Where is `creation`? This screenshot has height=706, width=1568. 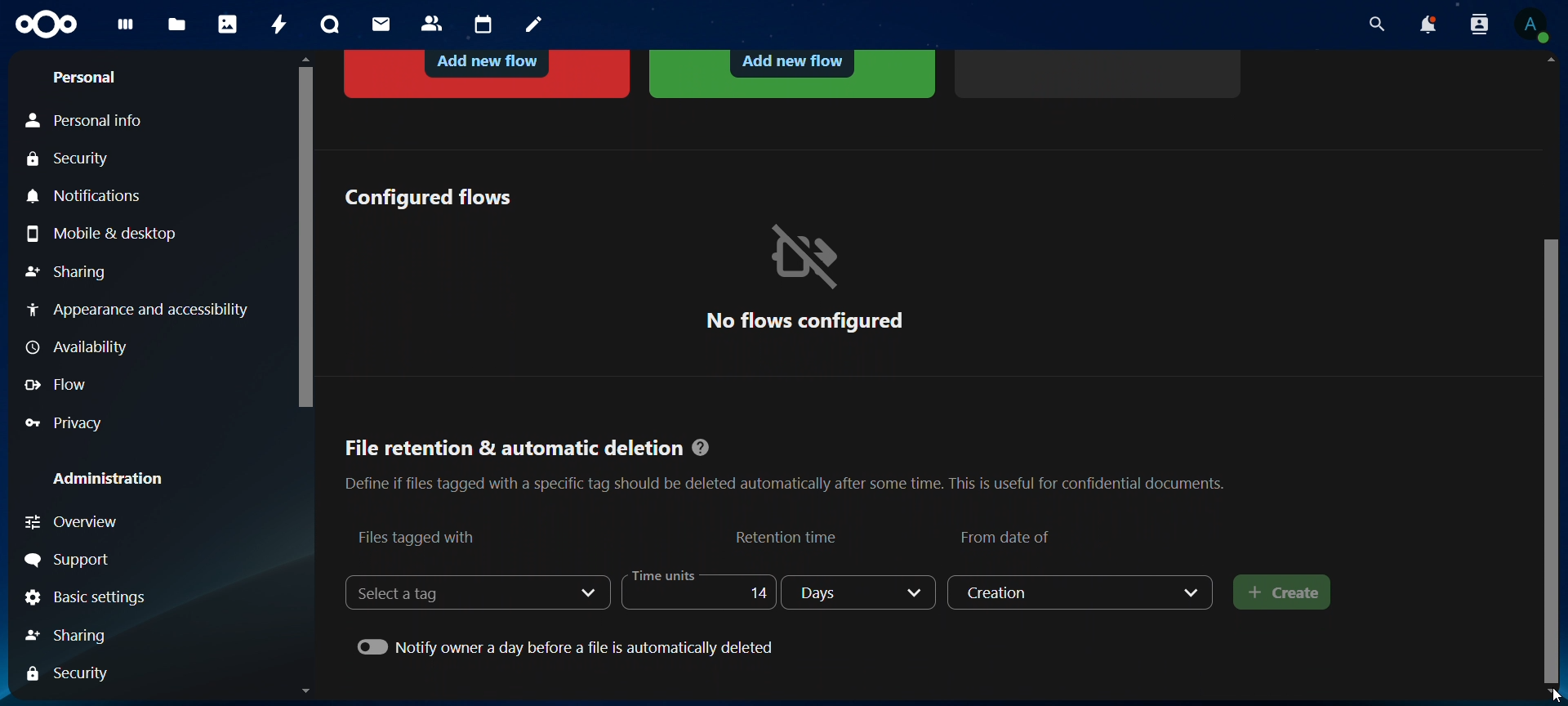
creation is located at coordinates (1082, 592).